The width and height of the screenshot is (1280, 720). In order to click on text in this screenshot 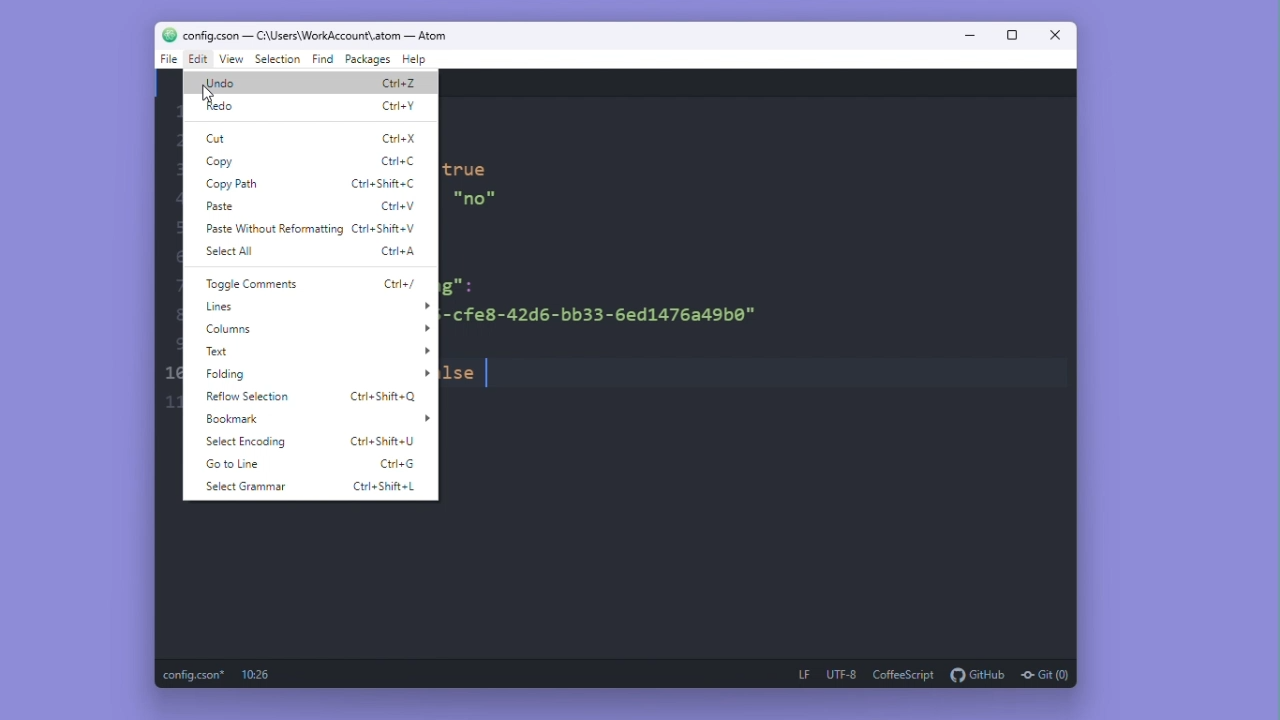, I will do `click(311, 351)`.